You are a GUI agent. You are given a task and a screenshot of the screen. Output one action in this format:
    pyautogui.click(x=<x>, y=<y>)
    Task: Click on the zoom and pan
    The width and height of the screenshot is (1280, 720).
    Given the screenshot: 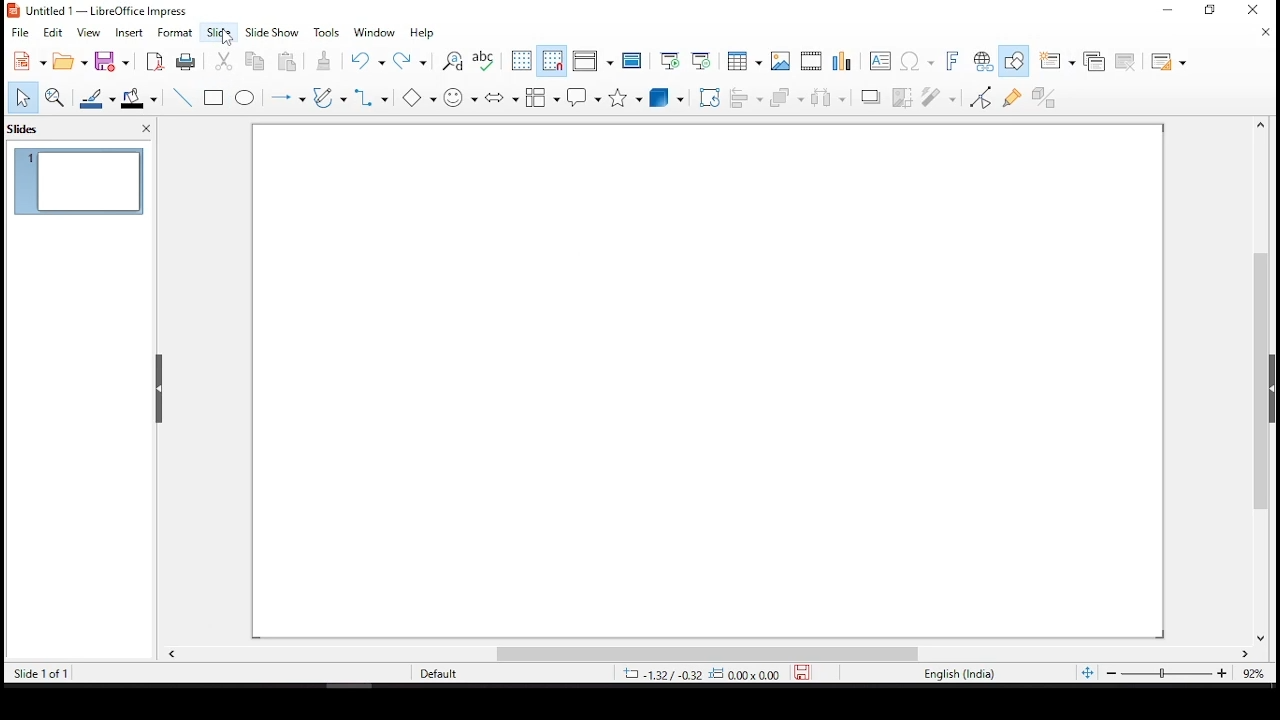 What is the action you would take?
    pyautogui.click(x=58, y=98)
    